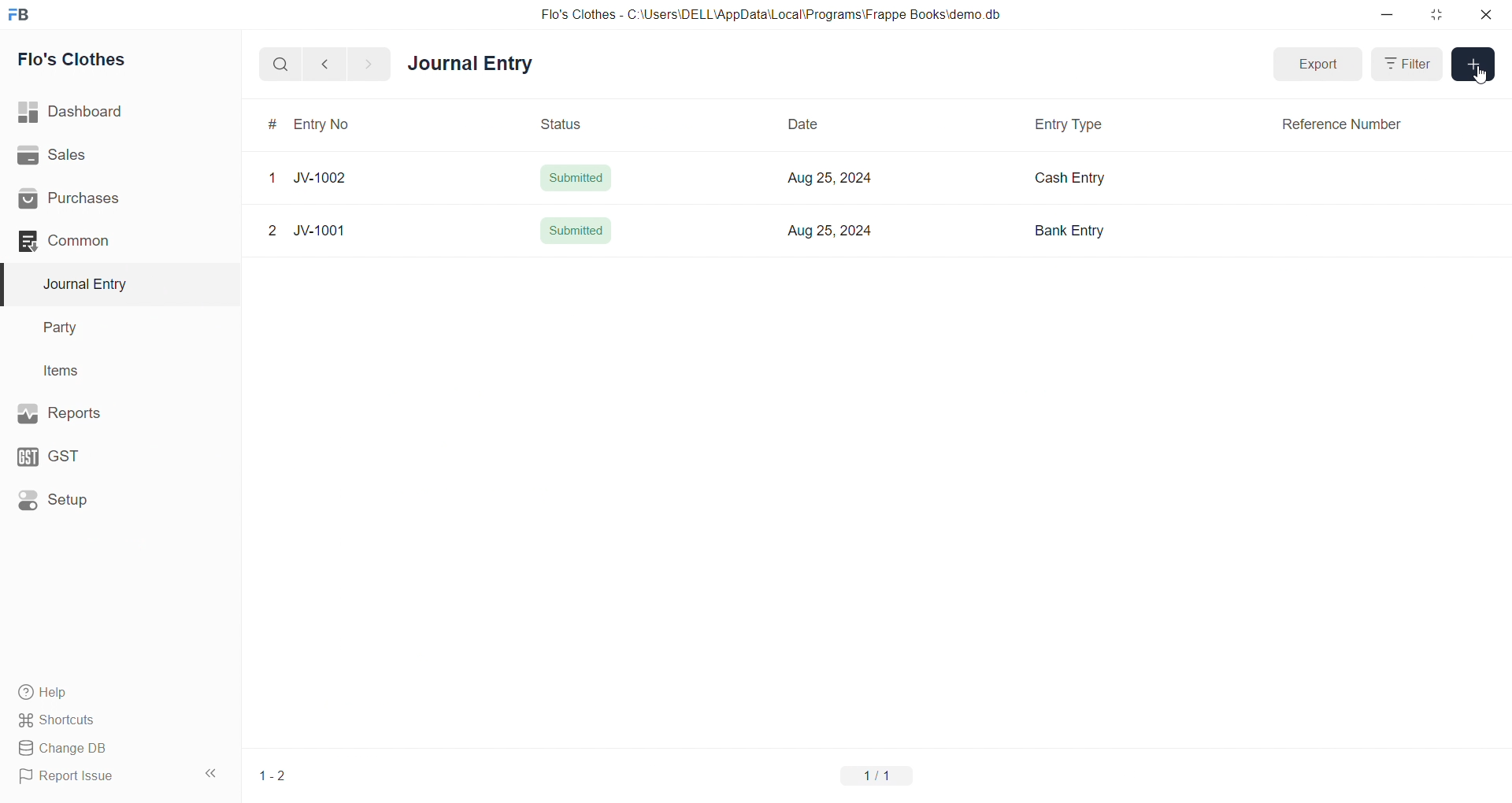 Image resolution: width=1512 pixels, height=803 pixels. I want to click on Entry Type, so click(1069, 124).